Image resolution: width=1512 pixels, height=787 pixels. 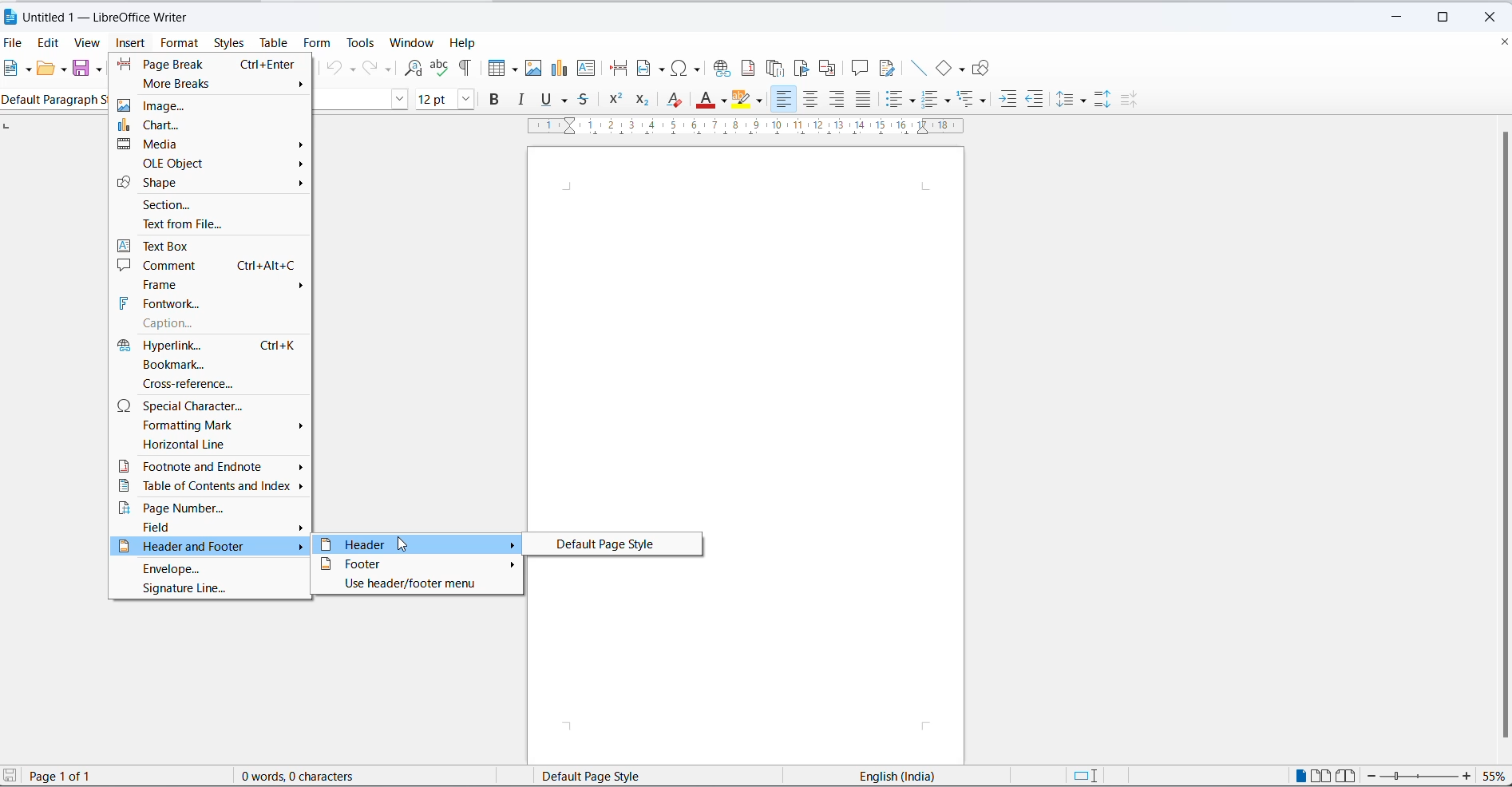 I want to click on bold, so click(x=498, y=100).